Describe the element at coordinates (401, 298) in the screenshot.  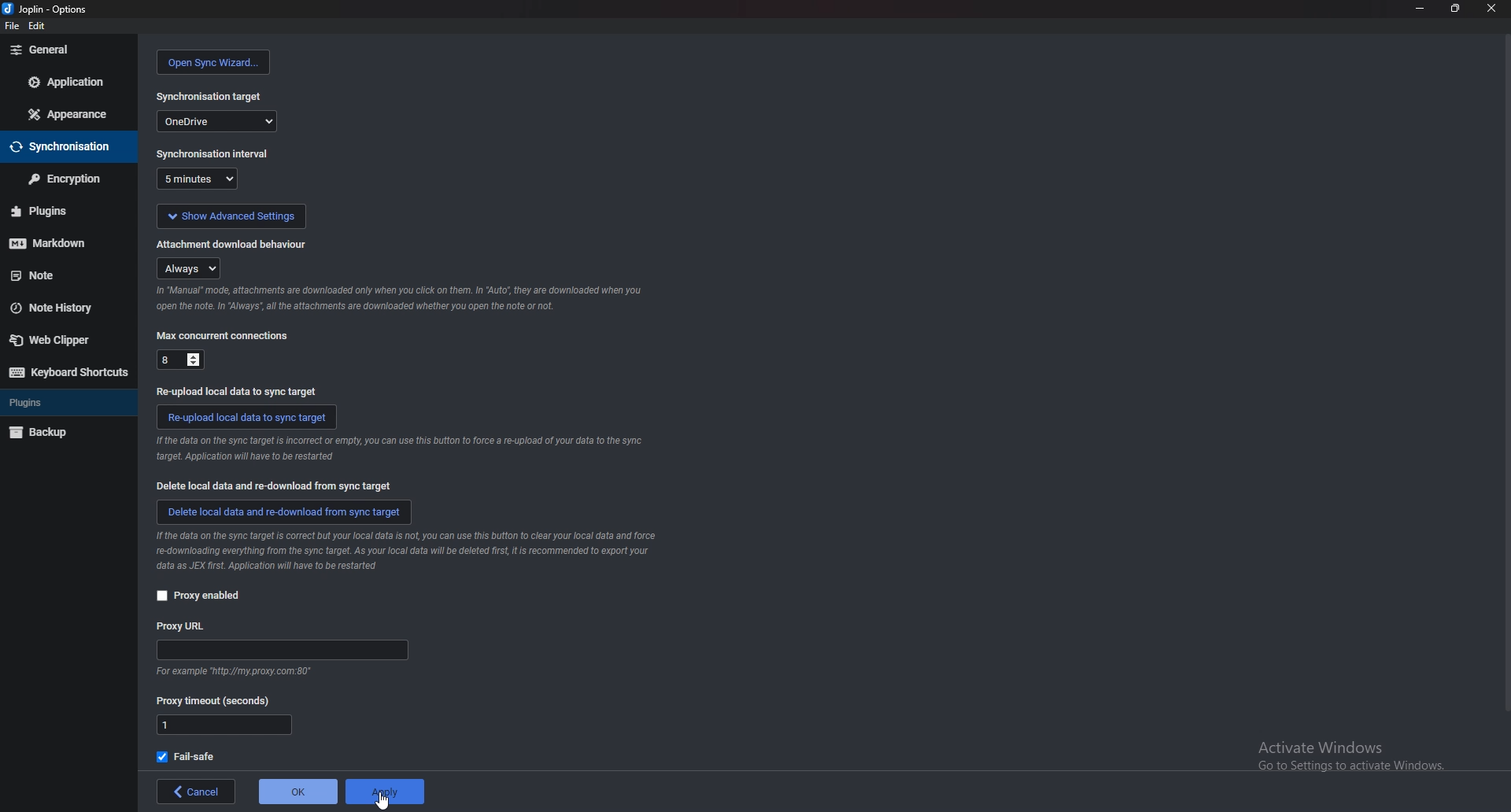
I see `info` at that location.